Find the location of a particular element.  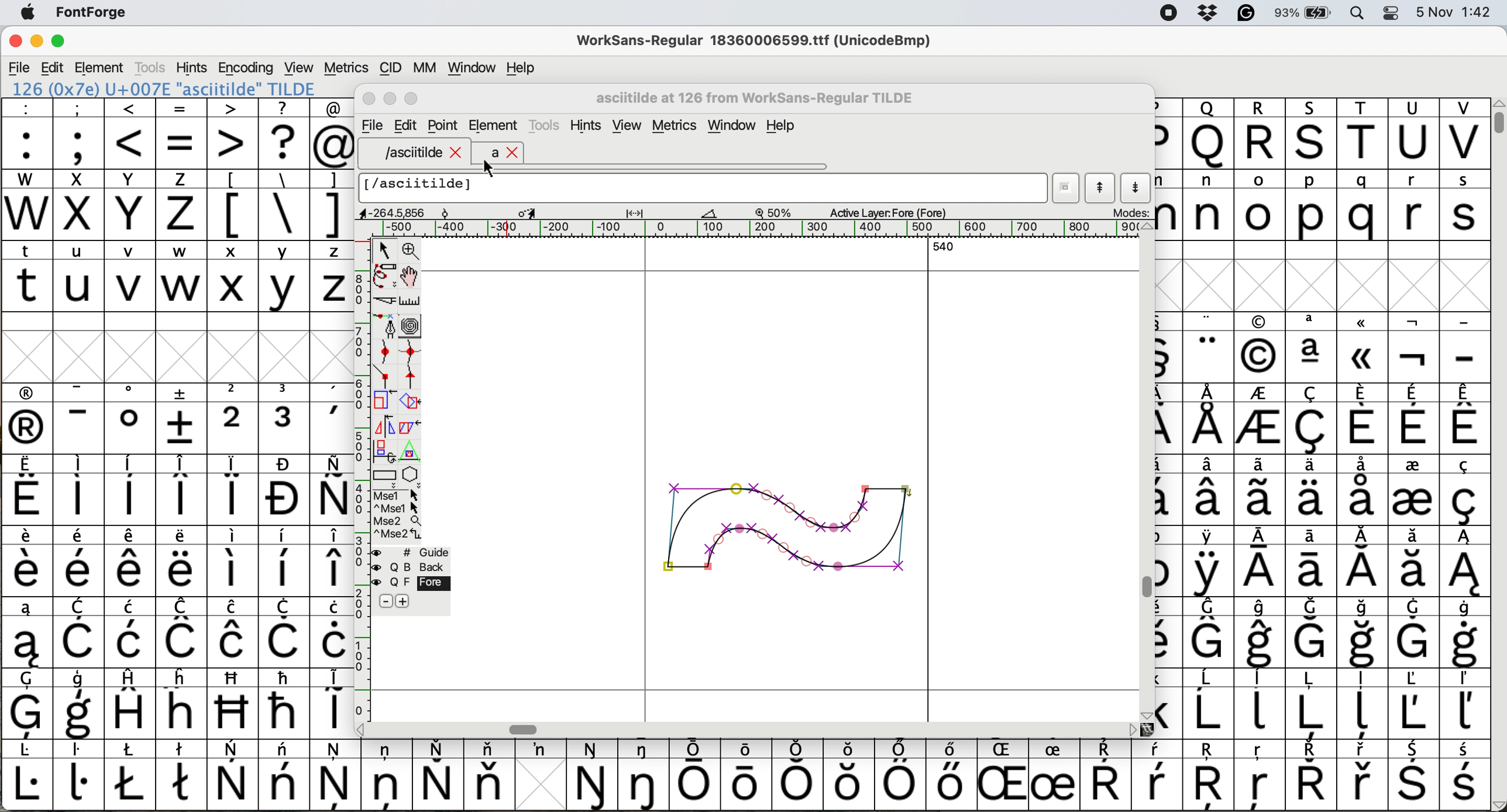

symbol is located at coordinates (1463, 704).